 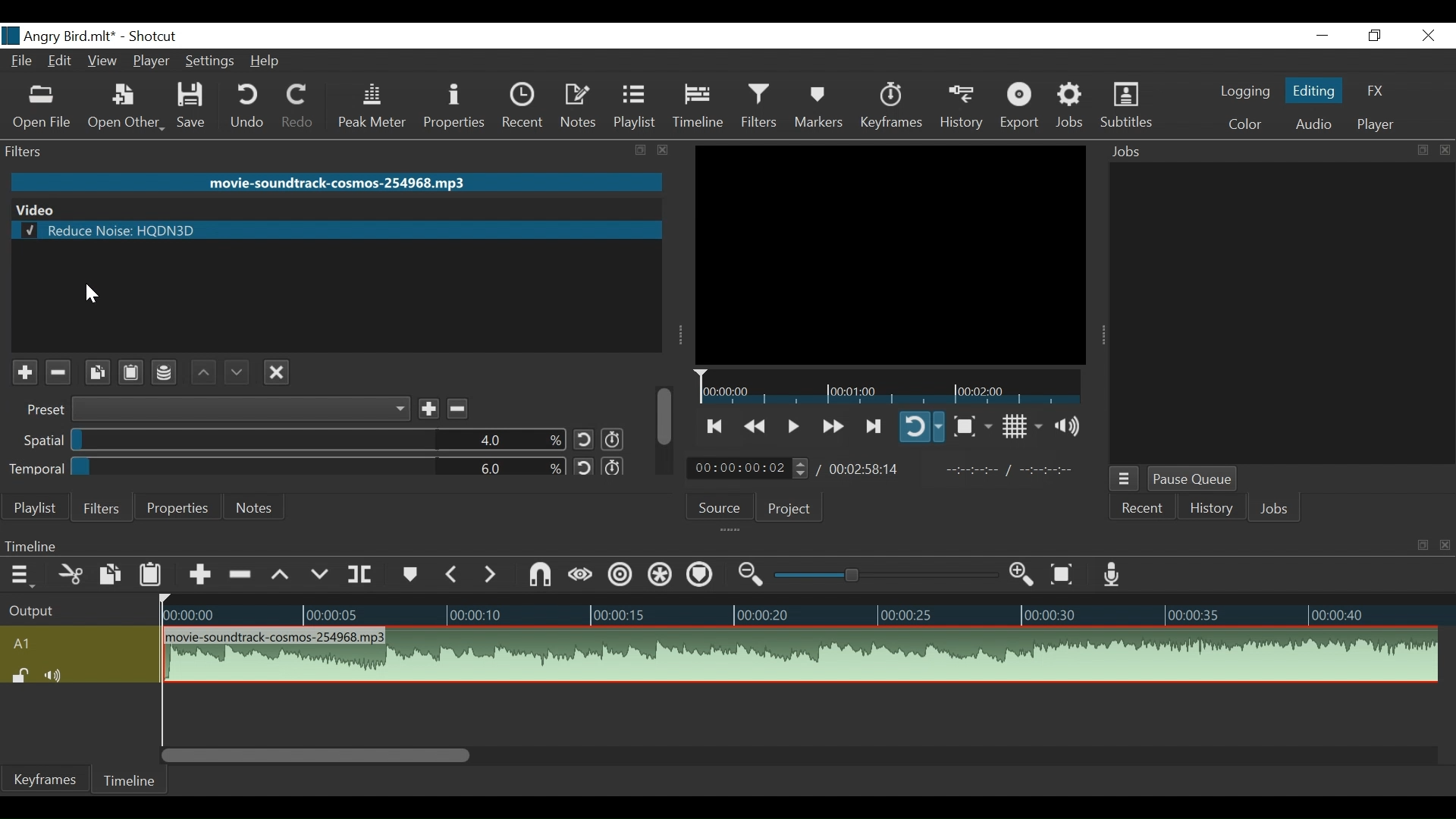 I want to click on Zoom timeline in, so click(x=1025, y=575).